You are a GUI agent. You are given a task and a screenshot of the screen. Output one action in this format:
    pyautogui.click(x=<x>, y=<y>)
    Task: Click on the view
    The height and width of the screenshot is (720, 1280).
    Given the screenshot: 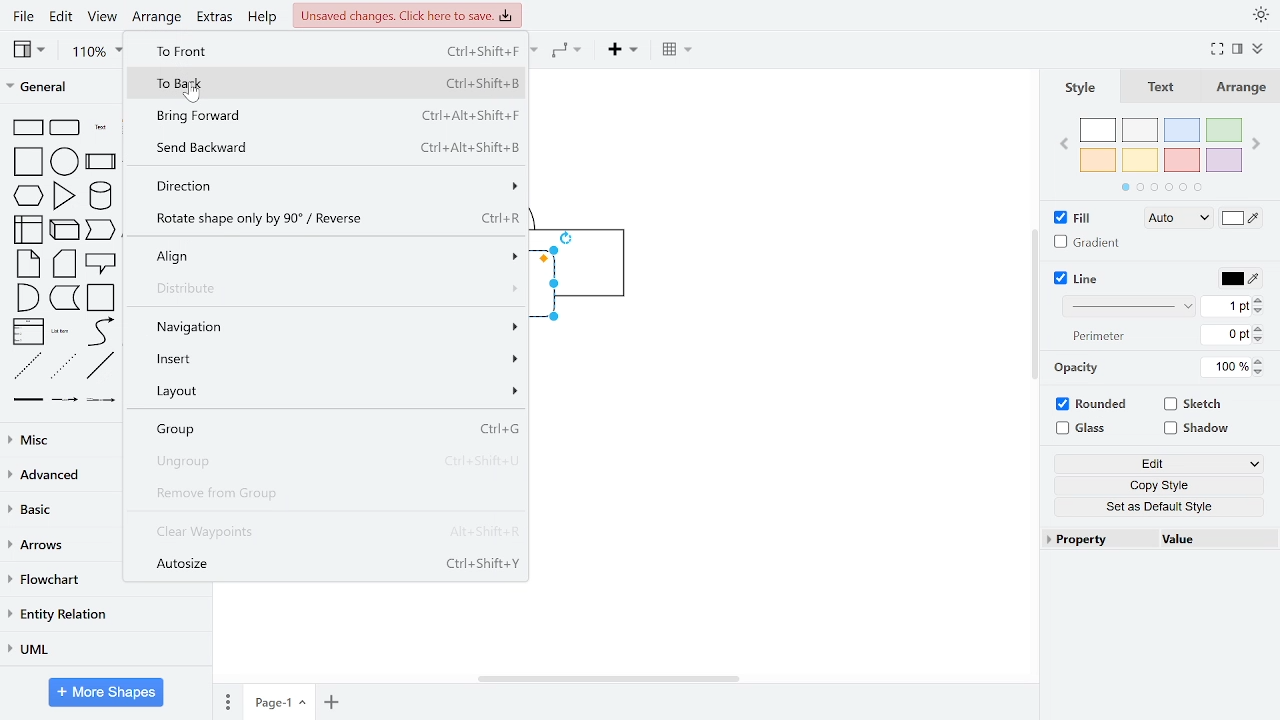 What is the action you would take?
    pyautogui.click(x=36, y=52)
    